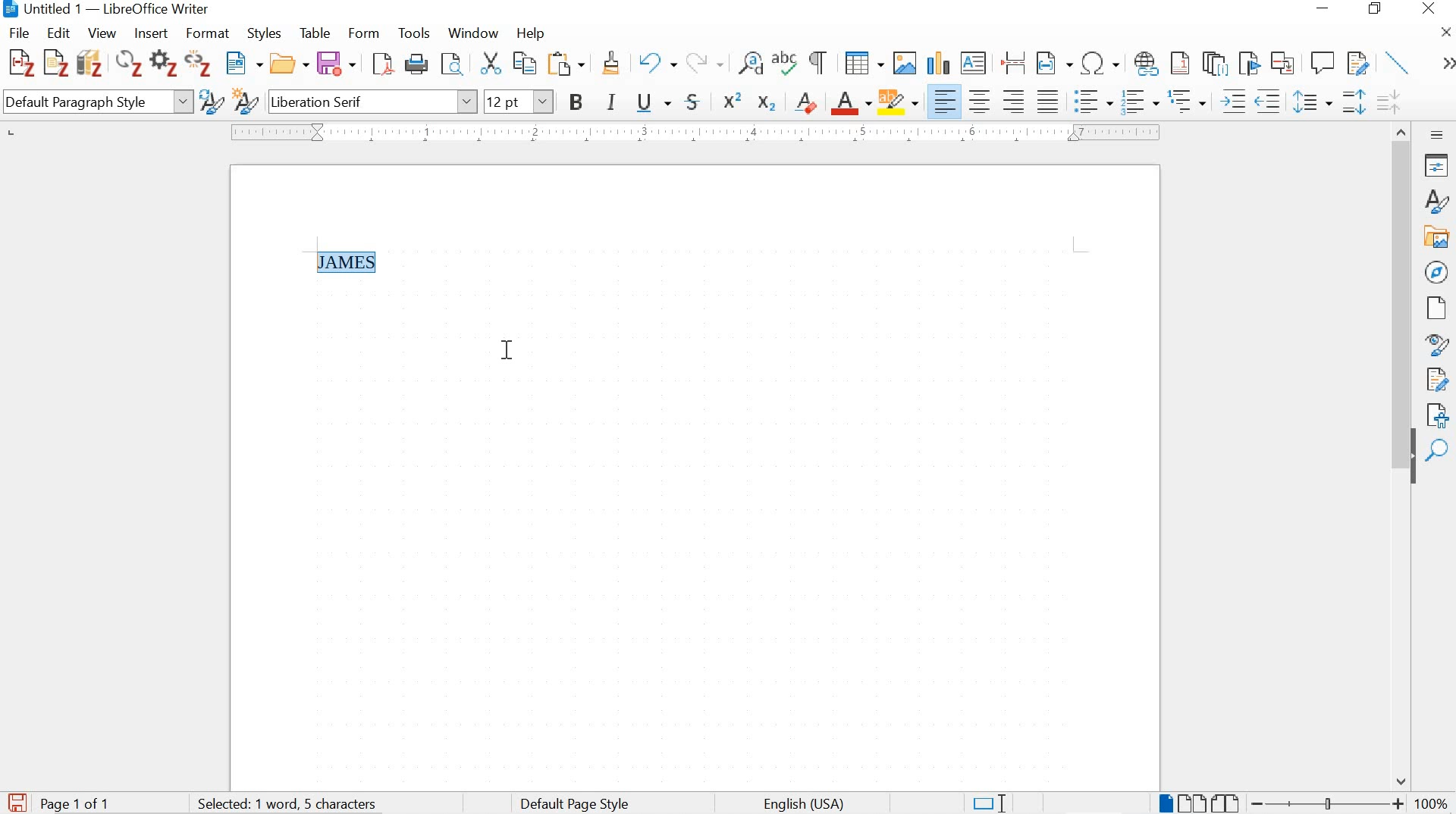  Describe the element at coordinates (1433, 415) in the screenshot. I see `accessibility check` at that location.